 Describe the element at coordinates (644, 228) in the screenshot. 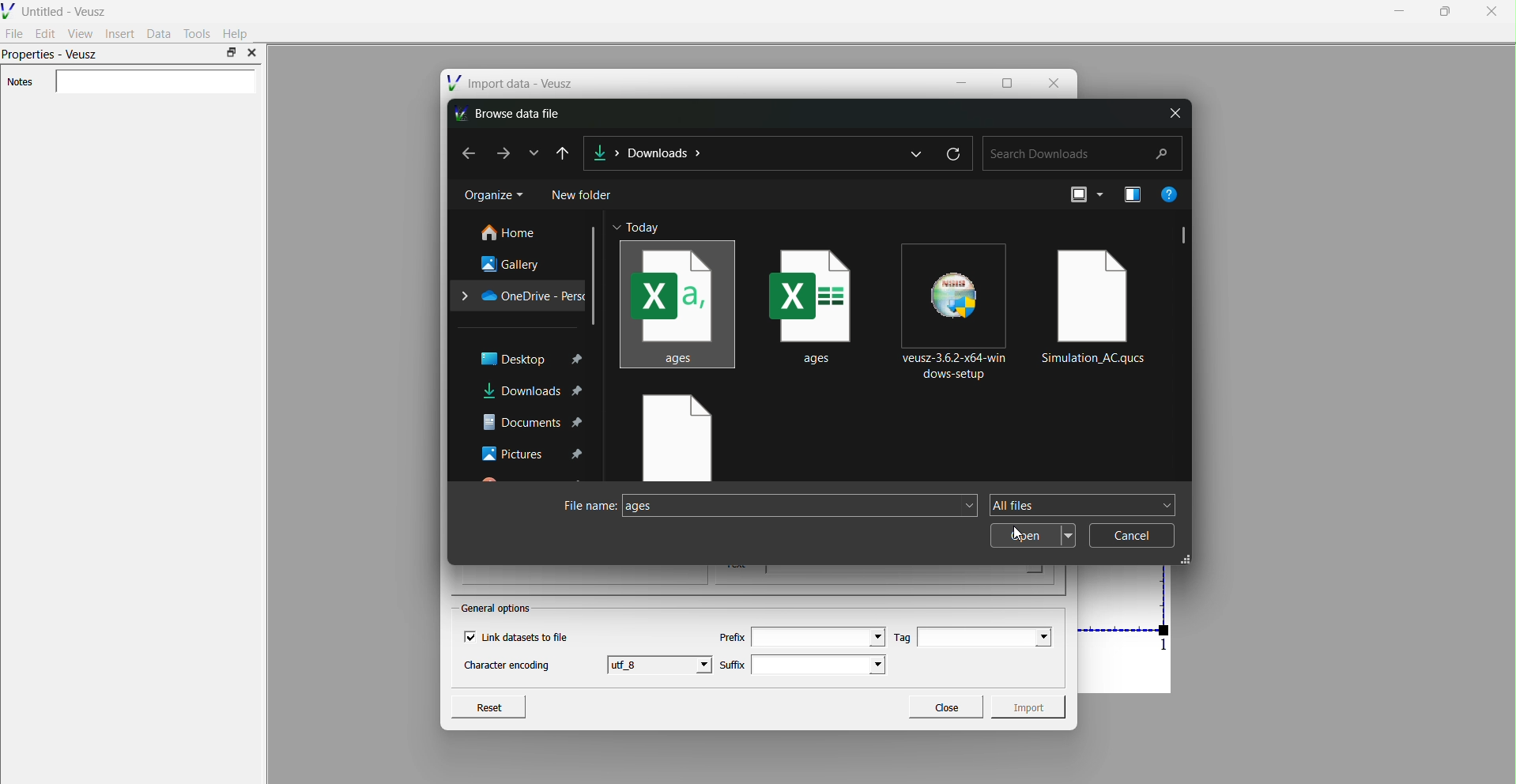

I see `Today` at that location.